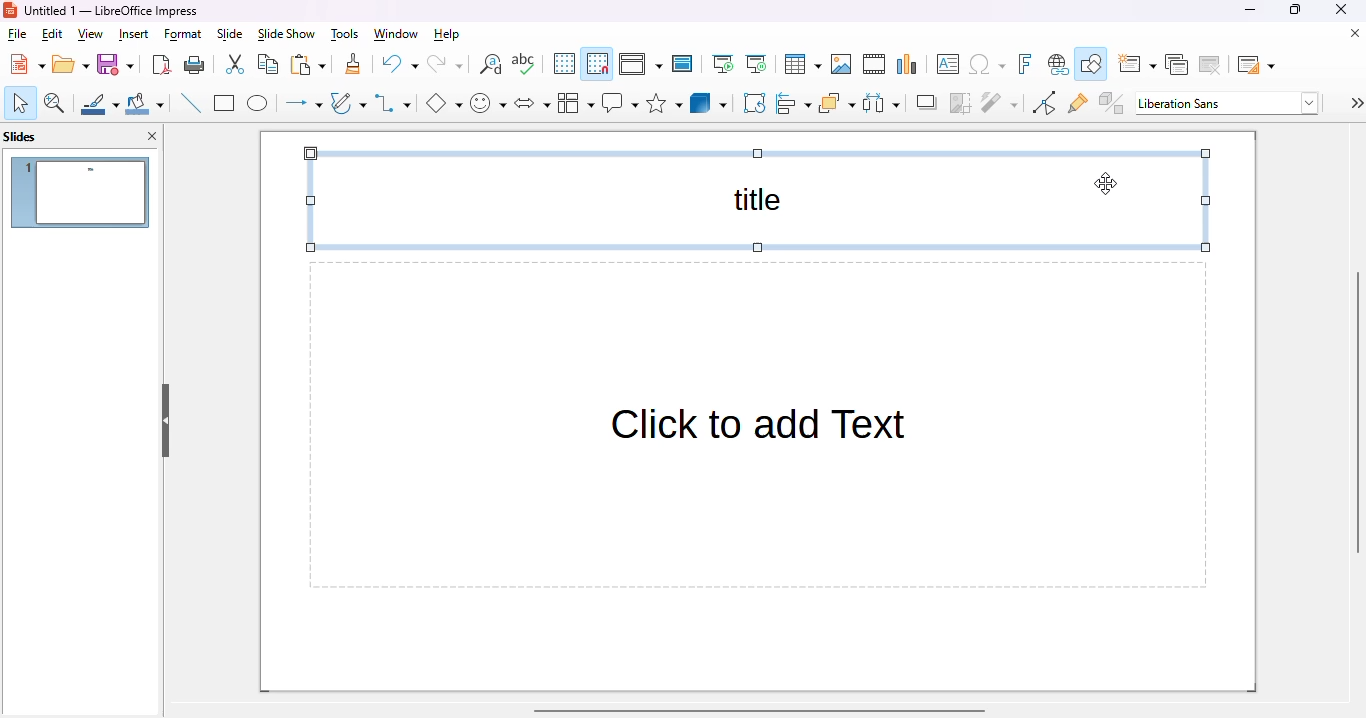 Image resolution: width=1366 pixels, height=718 pixels. I want to click on 3D objects, so click(709, 102).